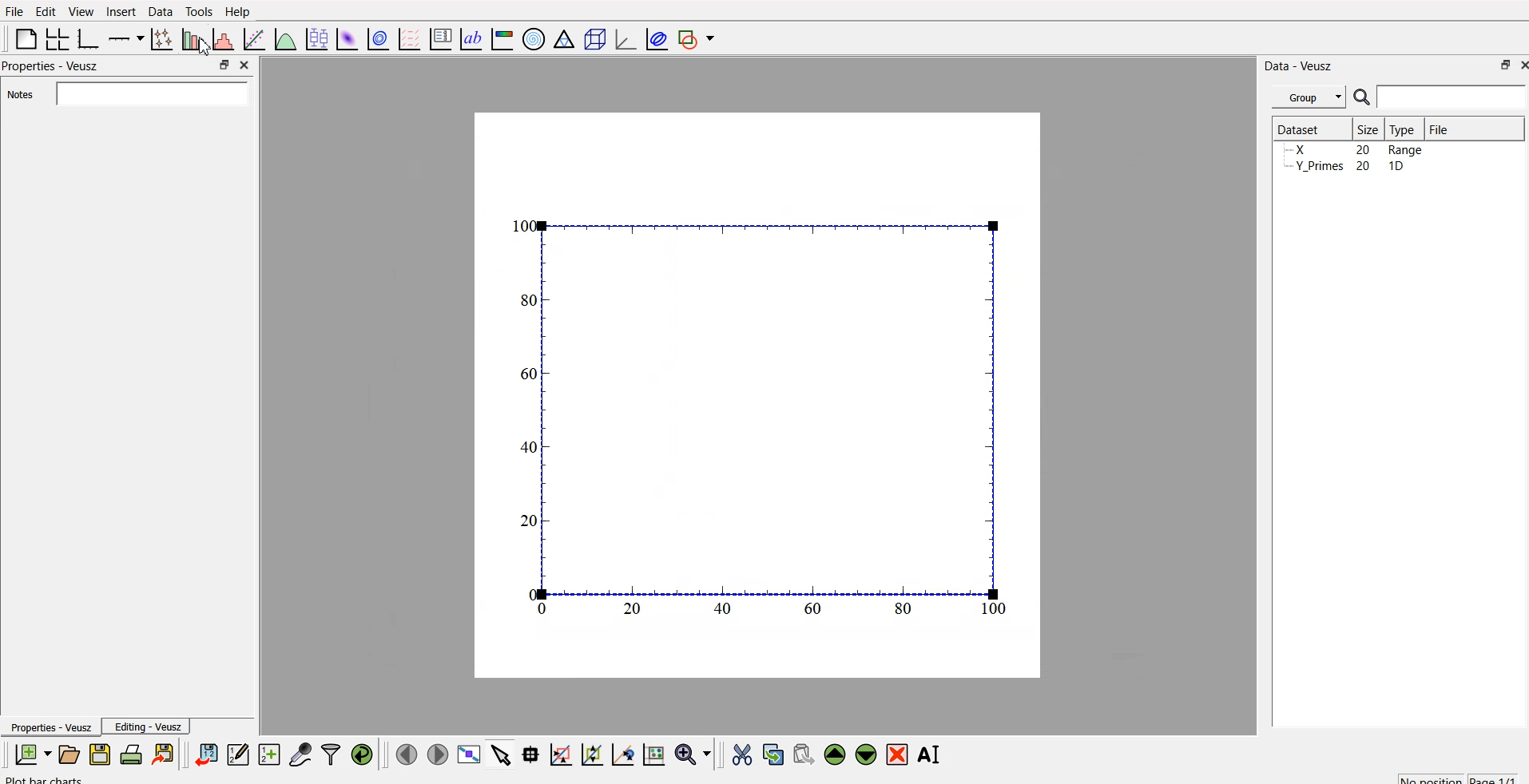 This screenshot has width=1529, height=784. I want to click on print document, so click(133, 755).